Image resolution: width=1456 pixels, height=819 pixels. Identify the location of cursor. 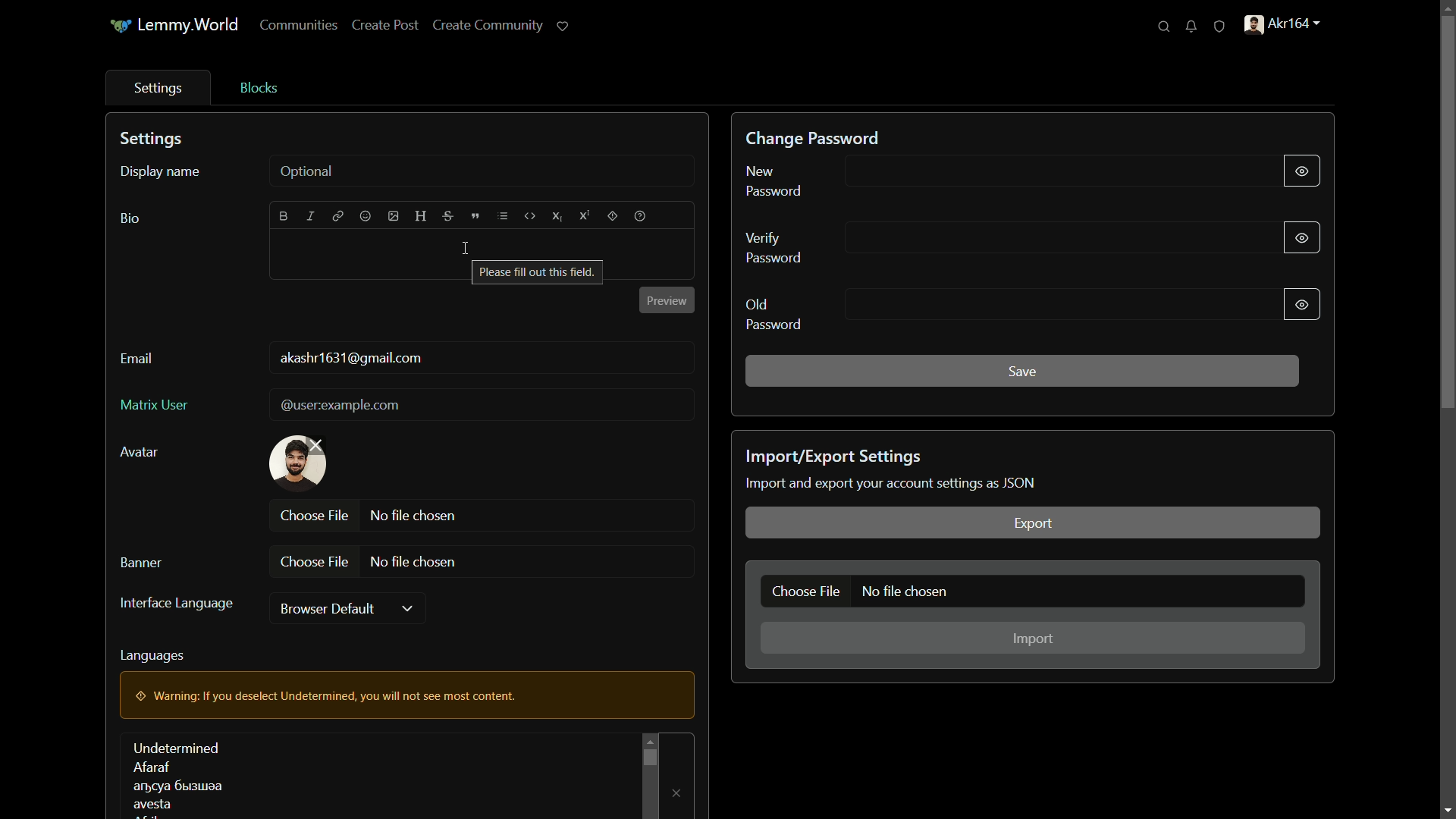
(466, 249).